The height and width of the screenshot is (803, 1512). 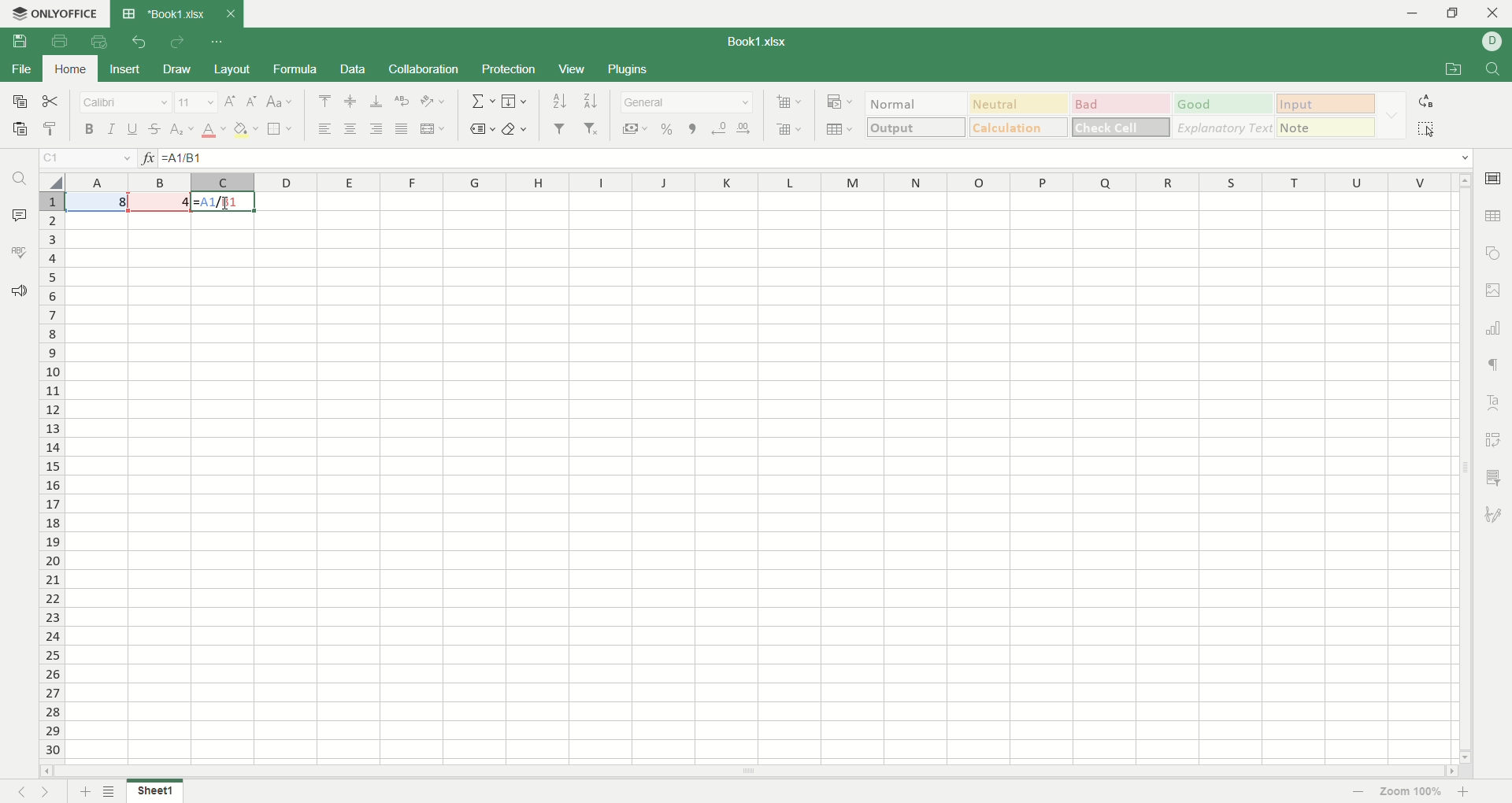 I want to click on customize quickaccess, so click(x=218, y=42).